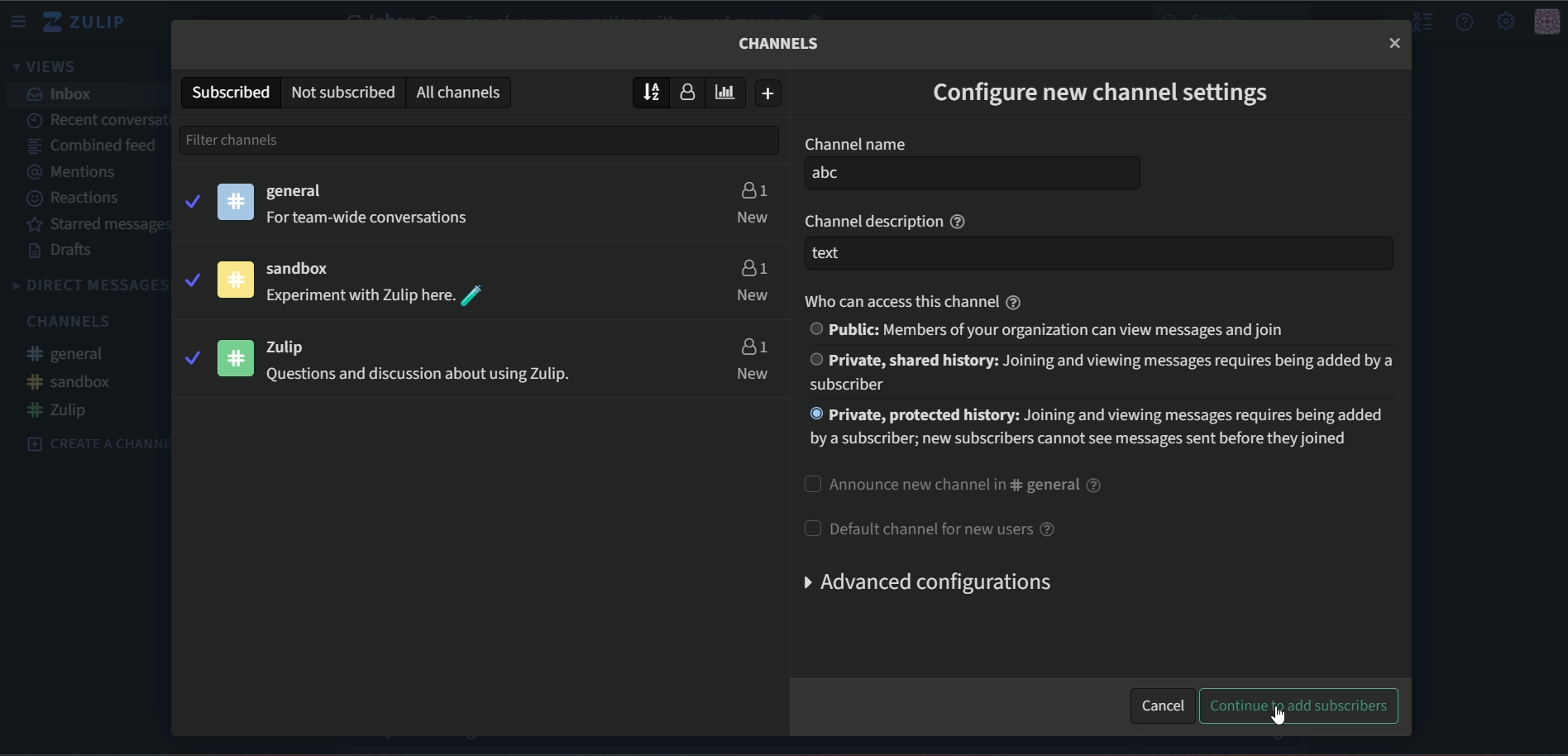 Image resolution: width=1568 pixels, height=756 pixels. I want to click on hide menu, so click(1421, 22).